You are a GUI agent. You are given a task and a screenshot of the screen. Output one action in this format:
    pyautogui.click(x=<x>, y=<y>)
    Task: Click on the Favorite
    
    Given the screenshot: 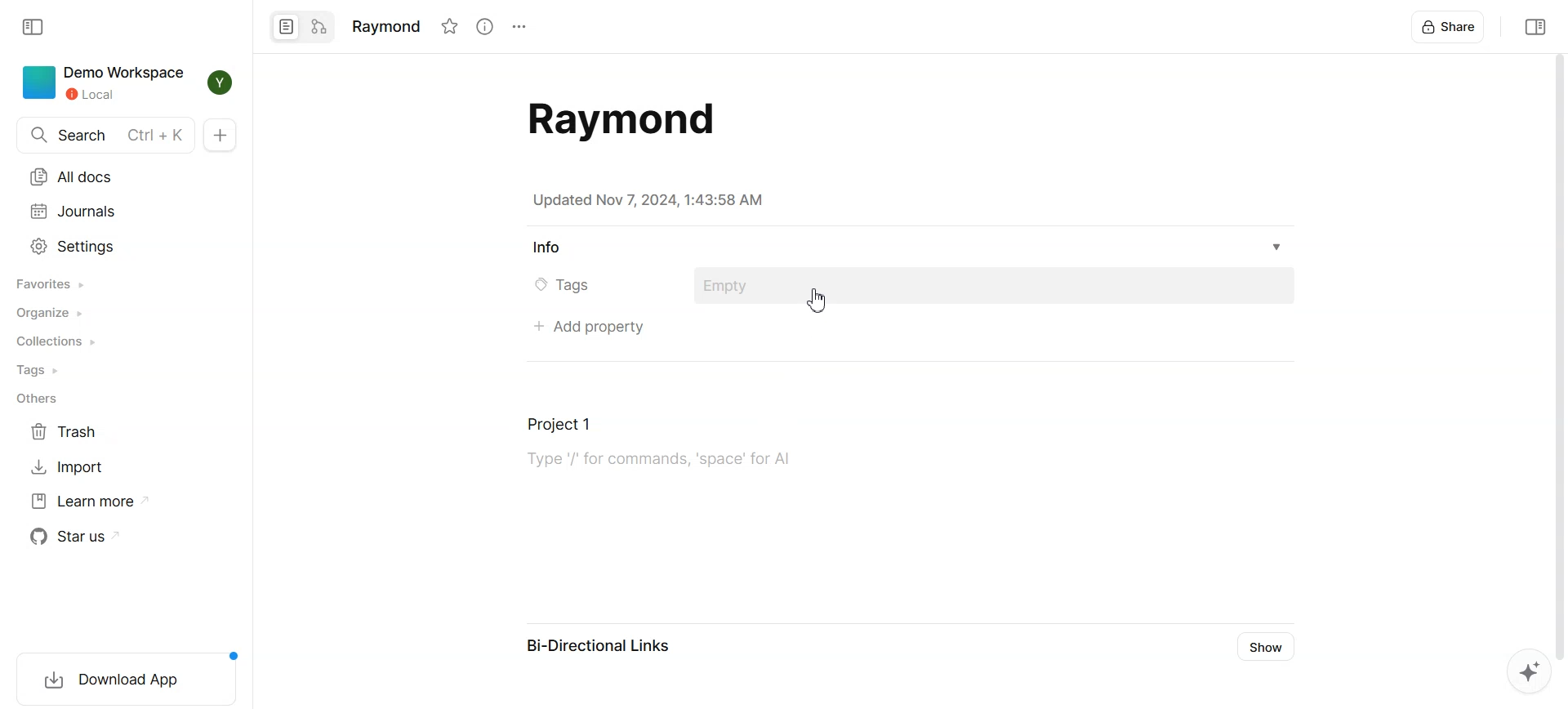 What is the action you would take?
    pyautogui.click(x=449, y=26)
    